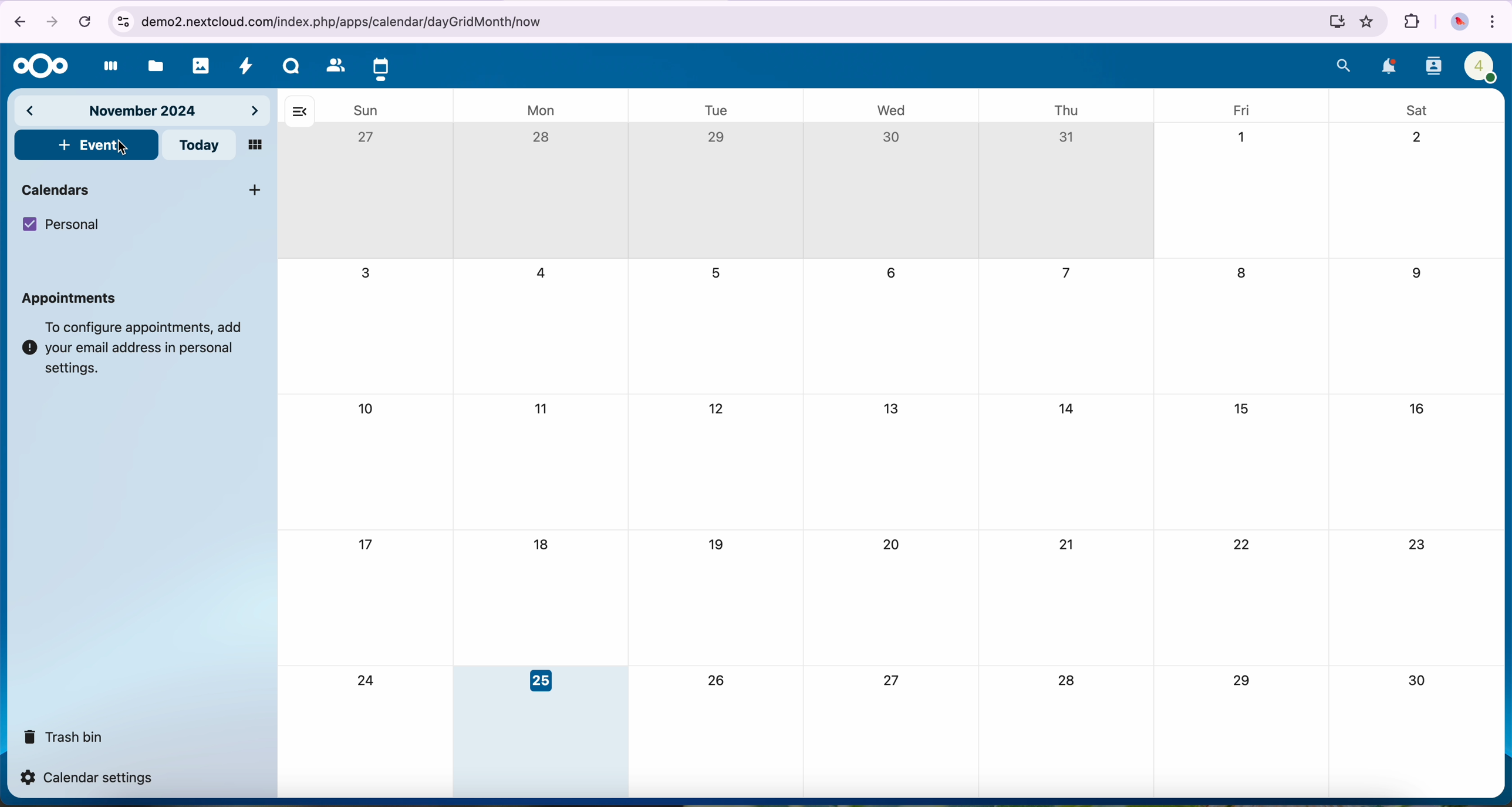  I want to click on appointments, so click(73, 298).